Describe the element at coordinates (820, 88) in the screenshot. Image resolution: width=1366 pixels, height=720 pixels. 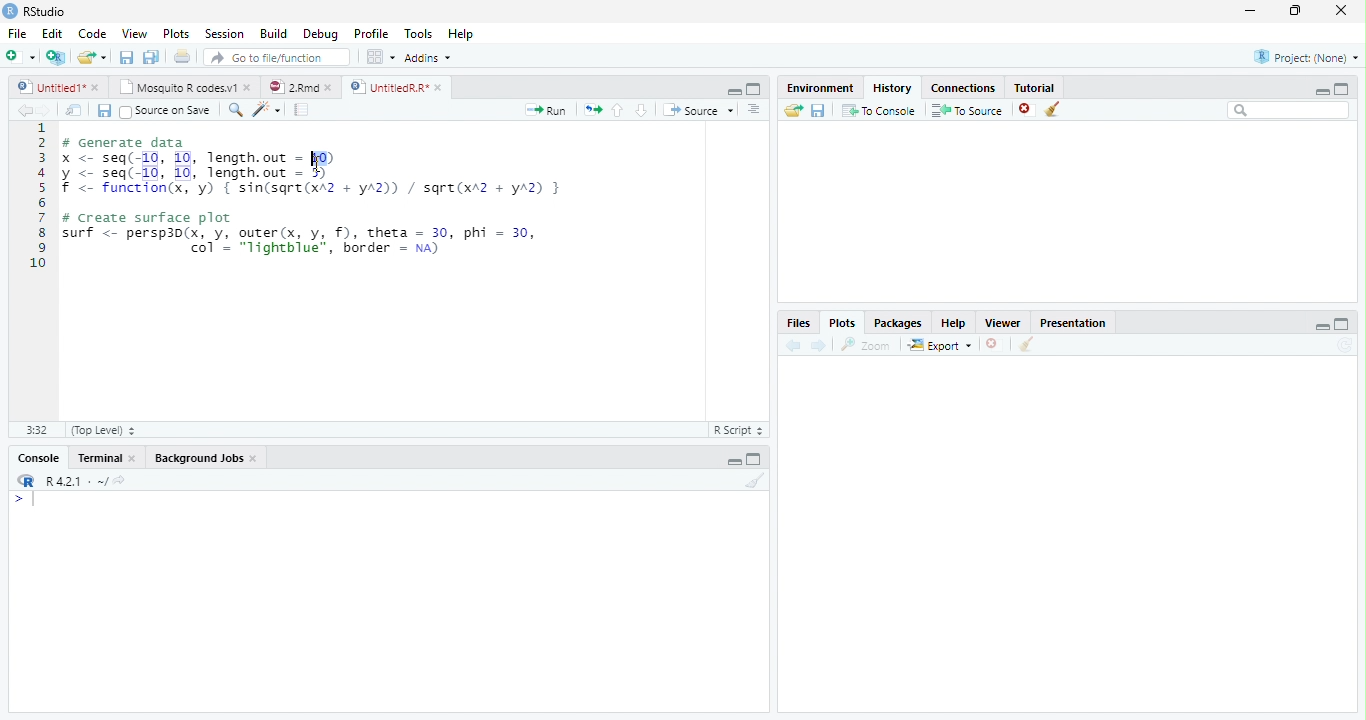
I see `Environment` at that location.